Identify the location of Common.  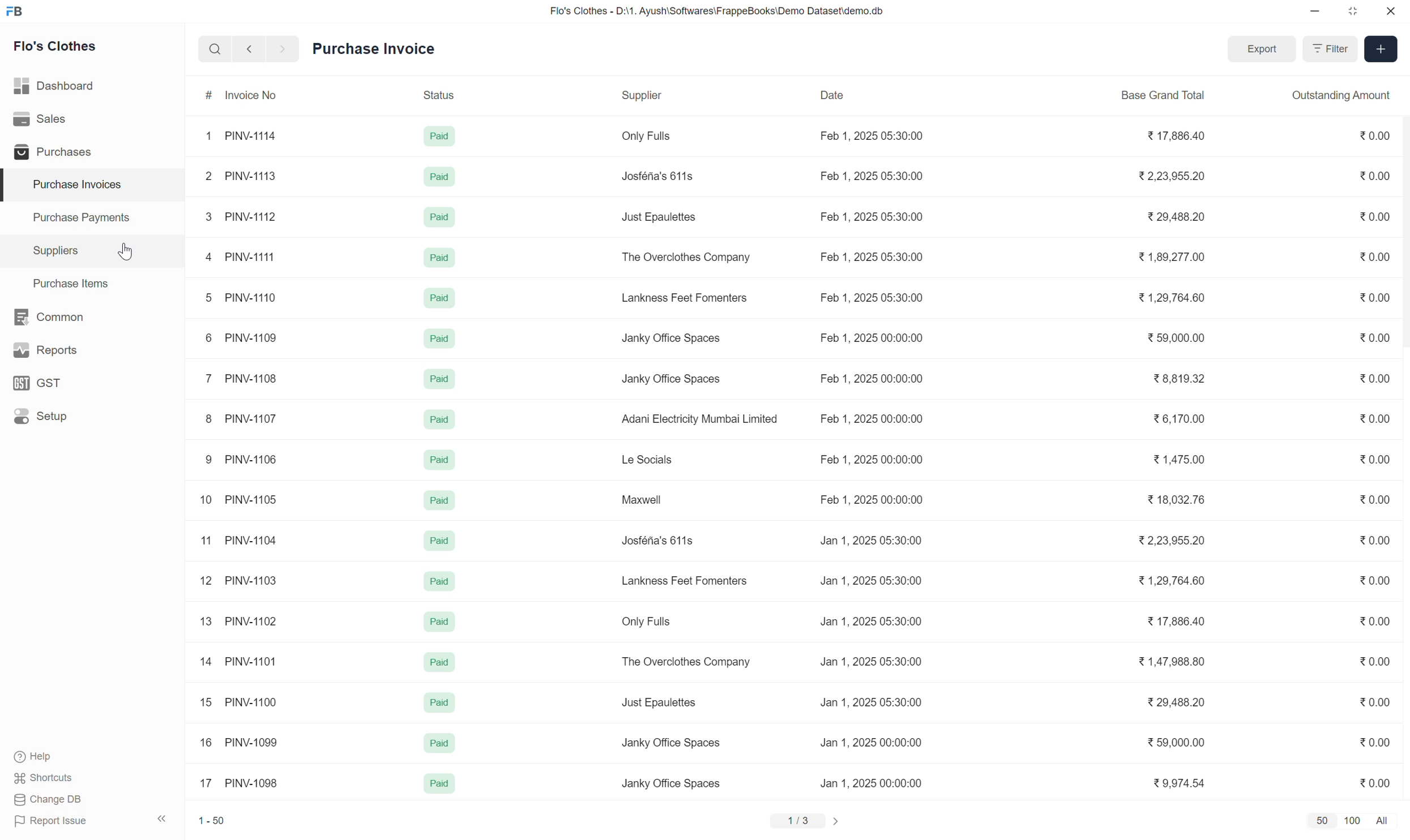
(91, 317).